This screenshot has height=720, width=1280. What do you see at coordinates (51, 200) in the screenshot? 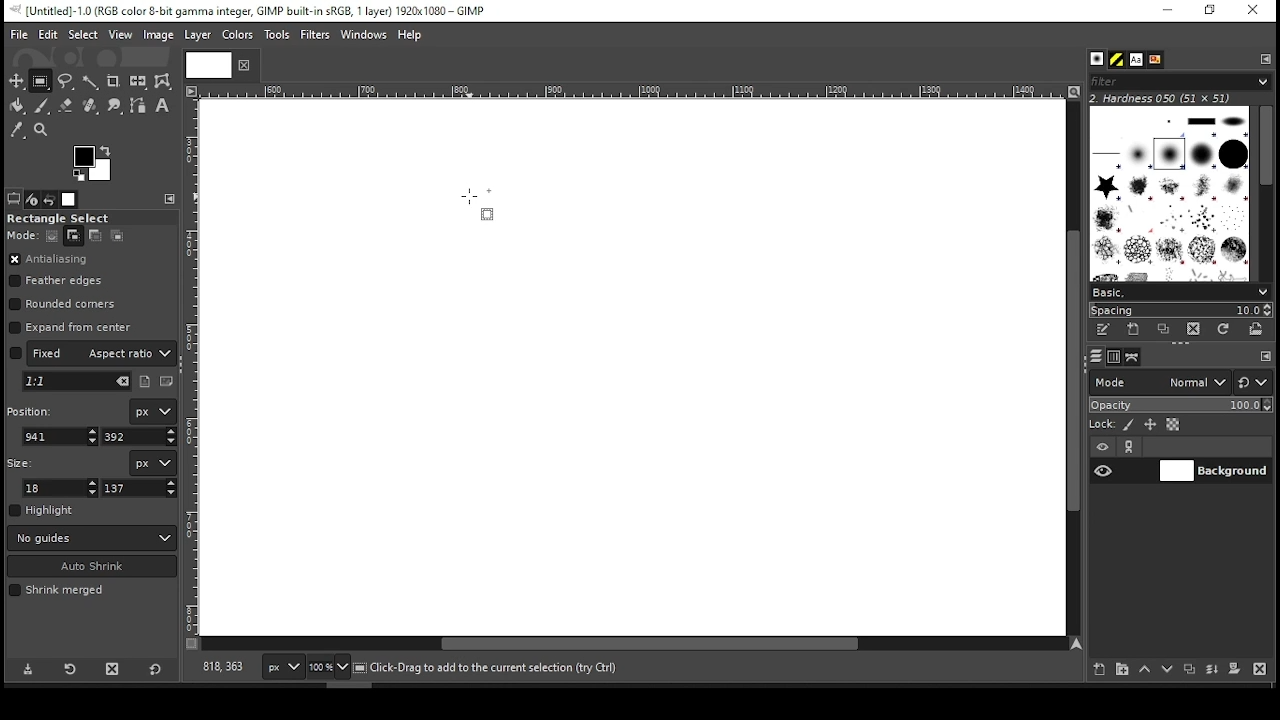
I see `undo history` at bounding box center [51, 200].